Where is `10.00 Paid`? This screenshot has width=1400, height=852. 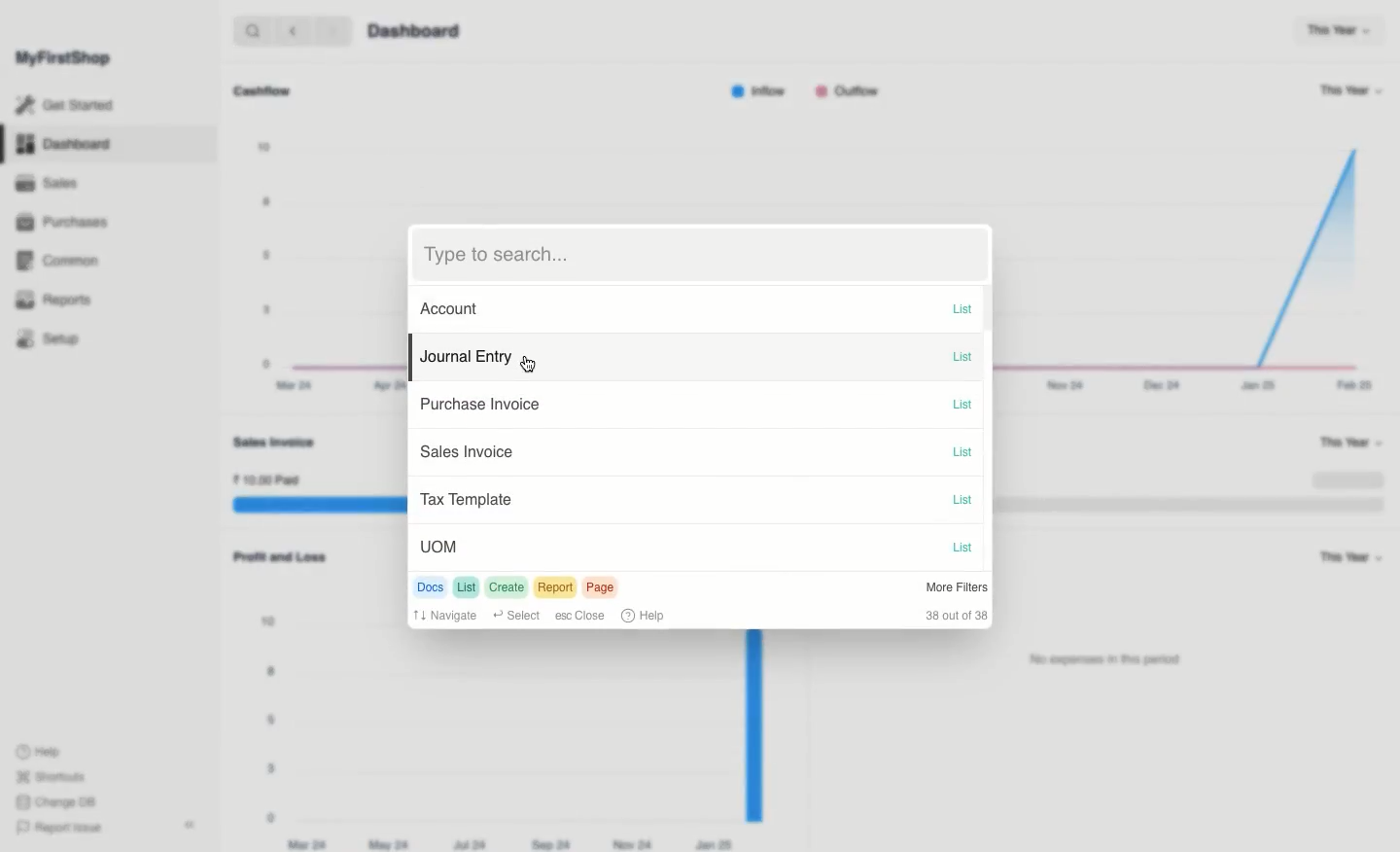 10.00 Paid is located at coordinates (268, 481).